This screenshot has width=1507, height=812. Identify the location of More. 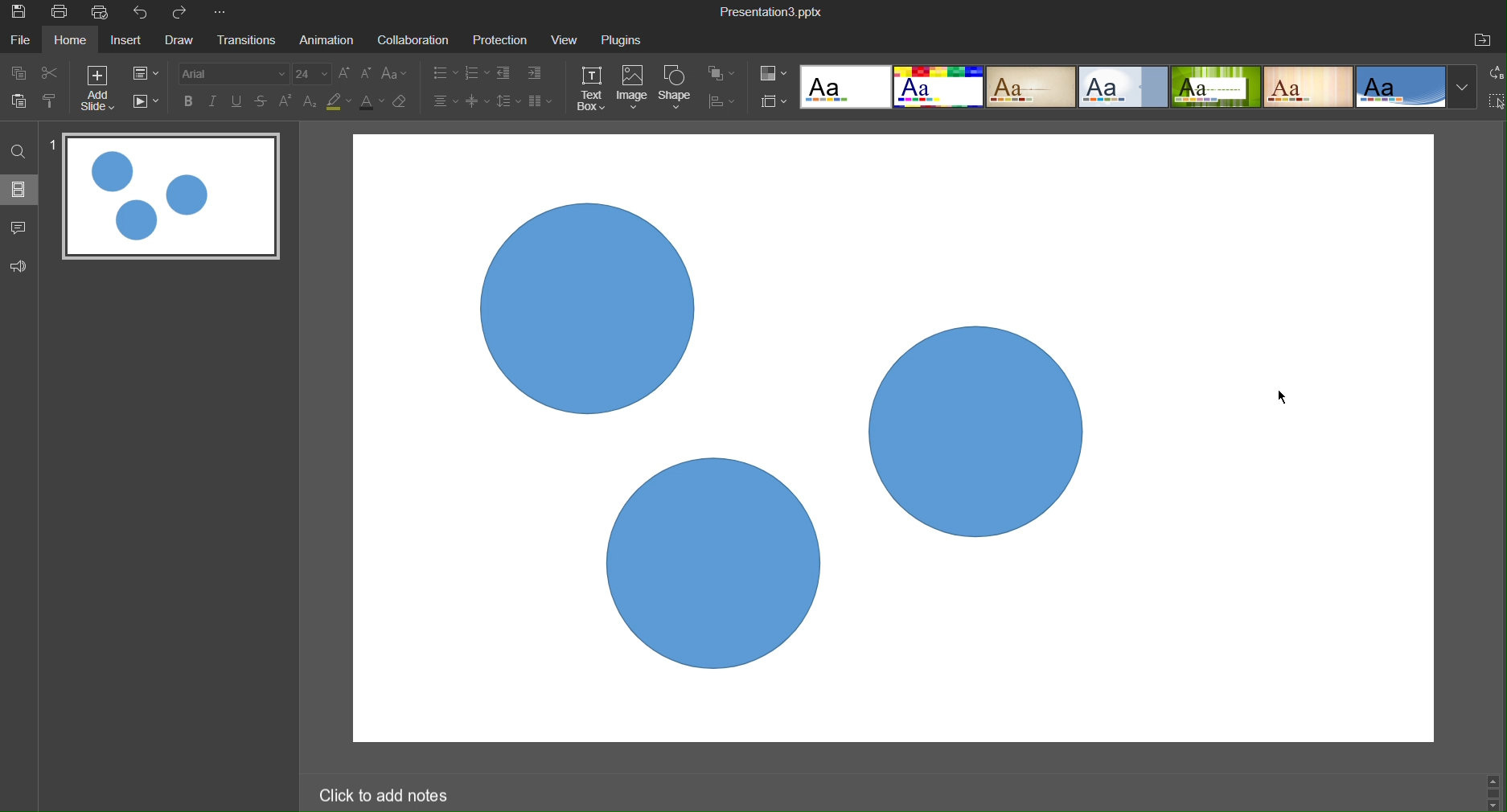
(224, 14).